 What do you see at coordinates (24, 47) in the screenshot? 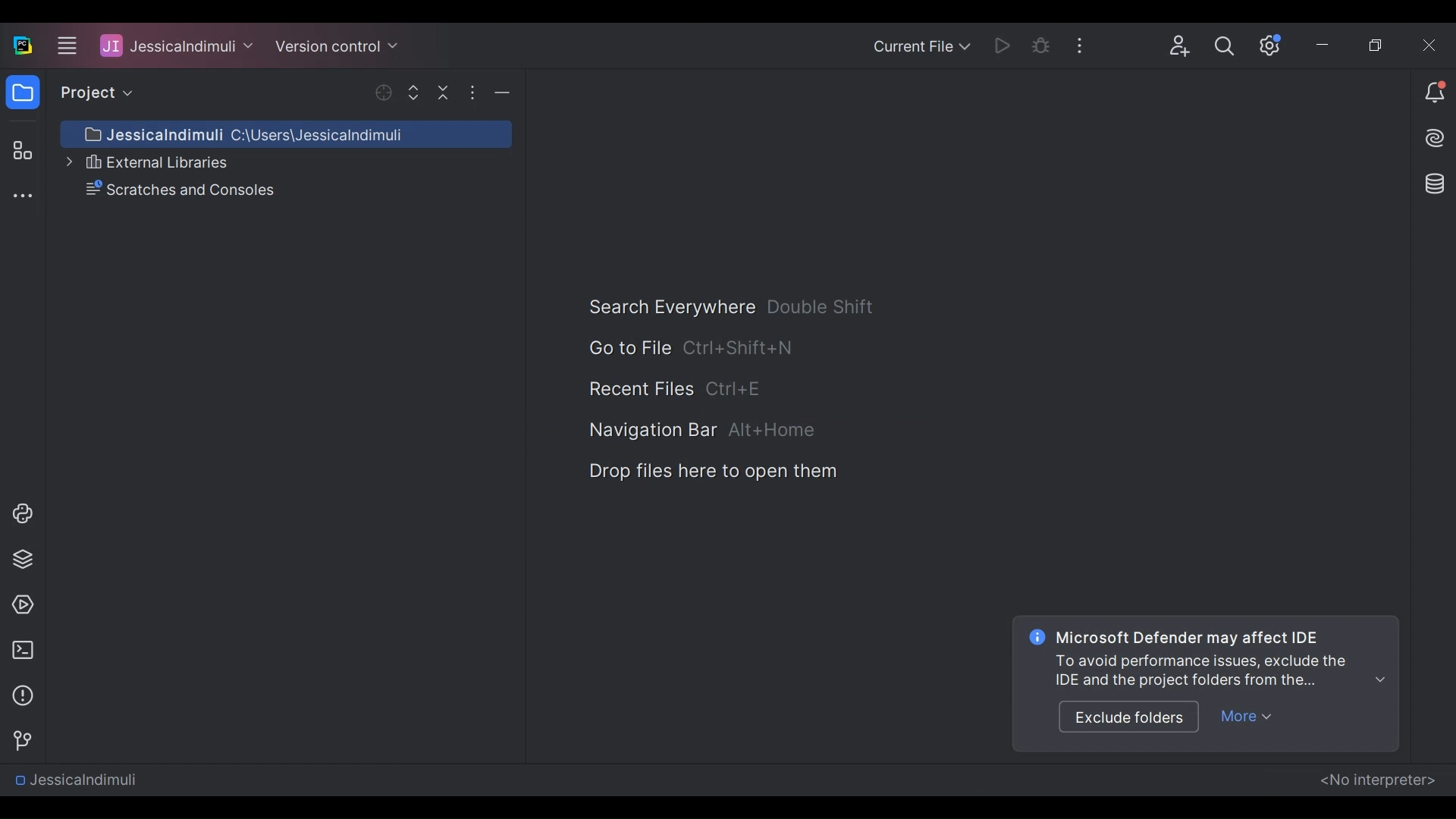
I see `PyCharm Desktop Icon` at bounding box center [24, 47].